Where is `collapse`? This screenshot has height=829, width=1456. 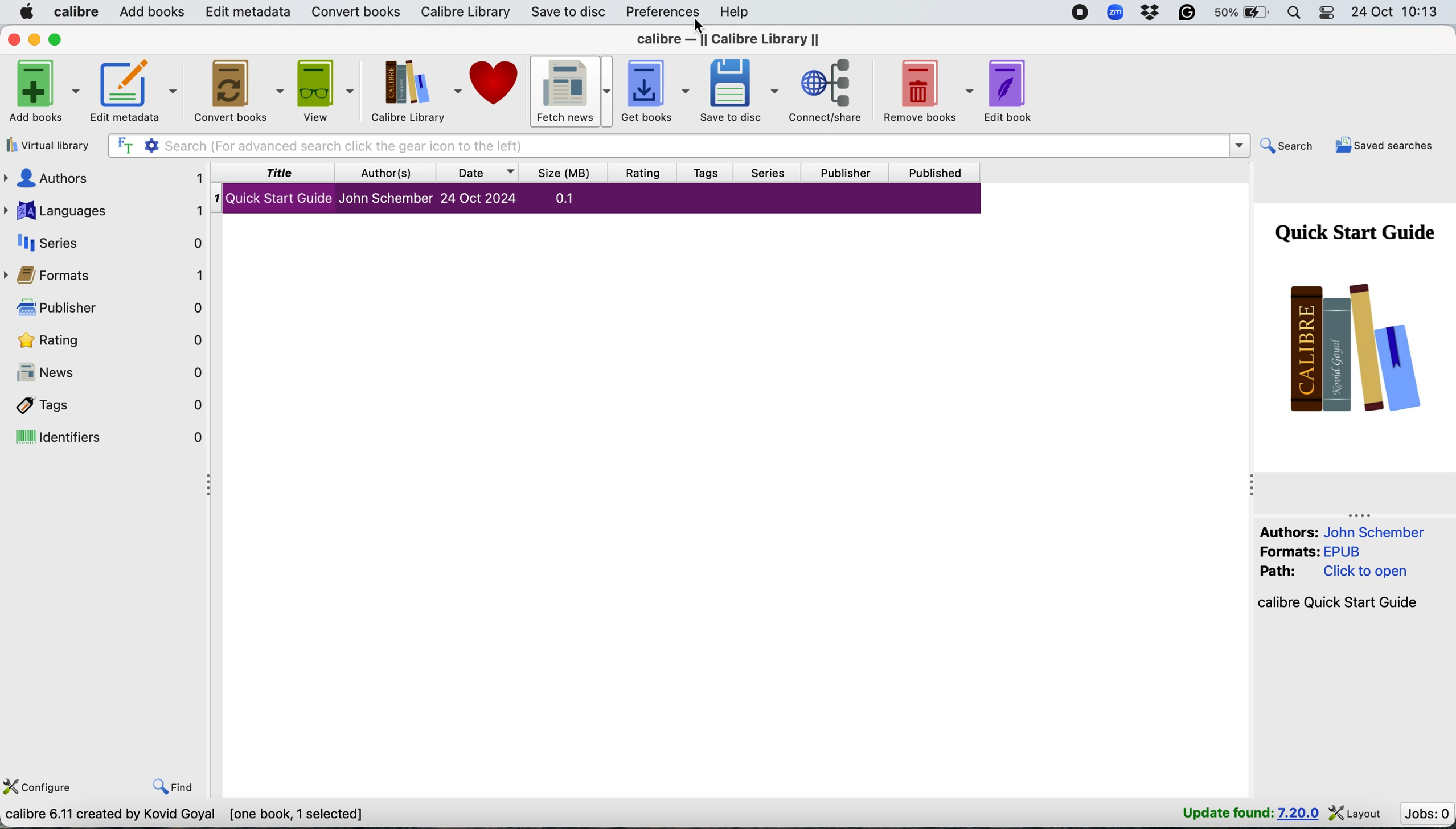
collapse is located at coordinates (1253, 486).